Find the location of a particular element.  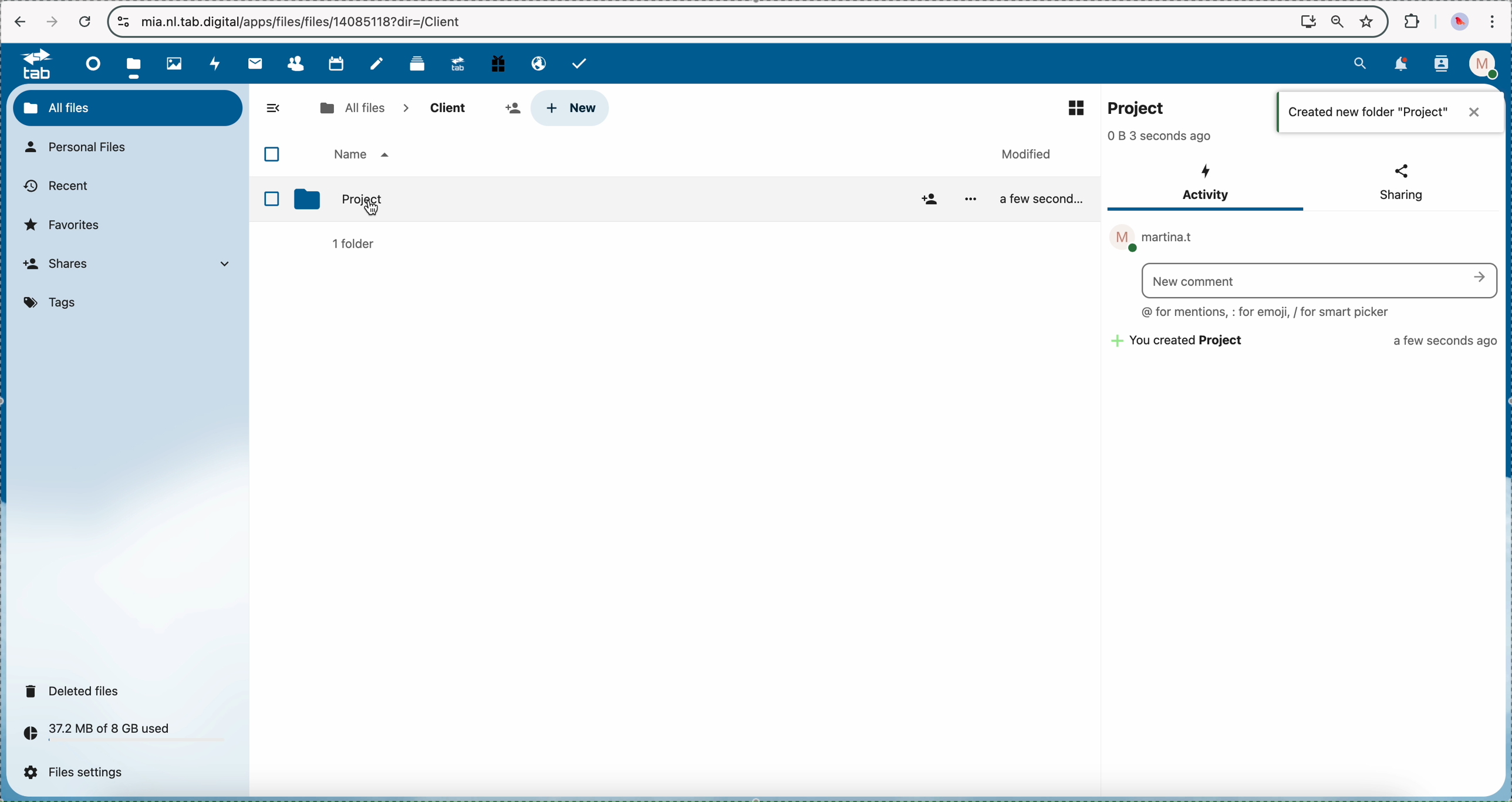

tasks is located at coordinates (581, 63).